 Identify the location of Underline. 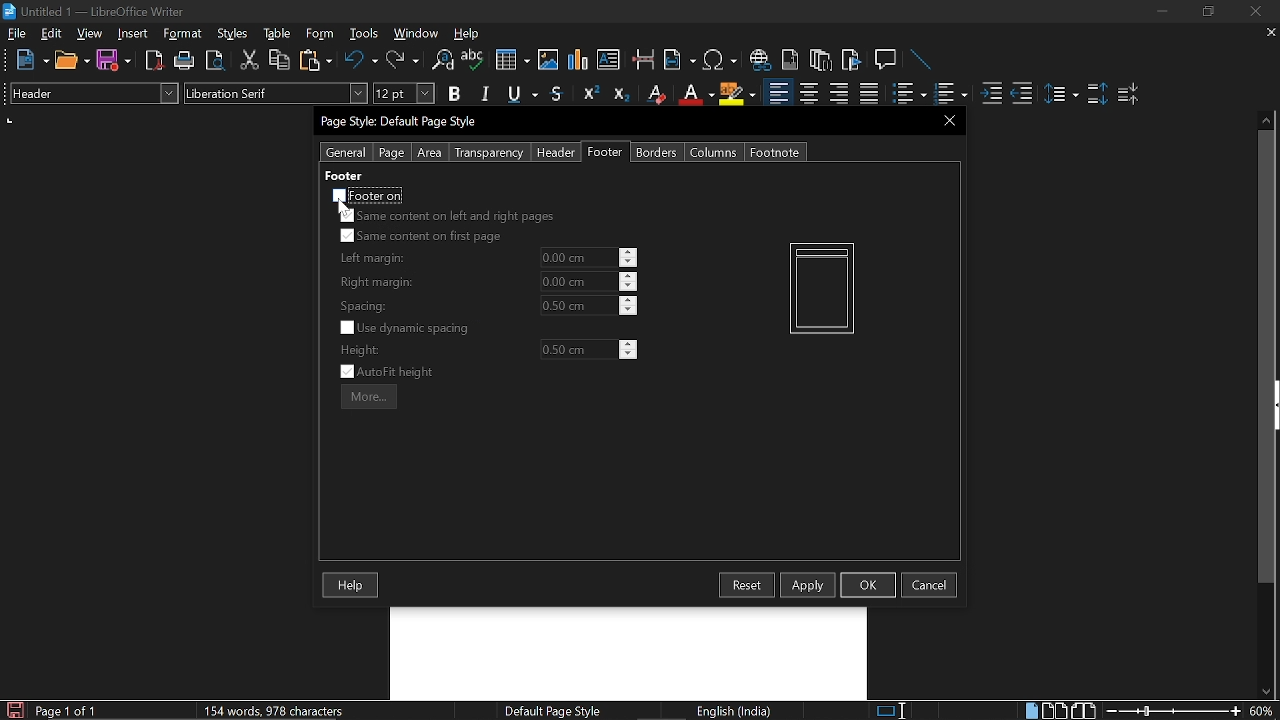
(524, 95).